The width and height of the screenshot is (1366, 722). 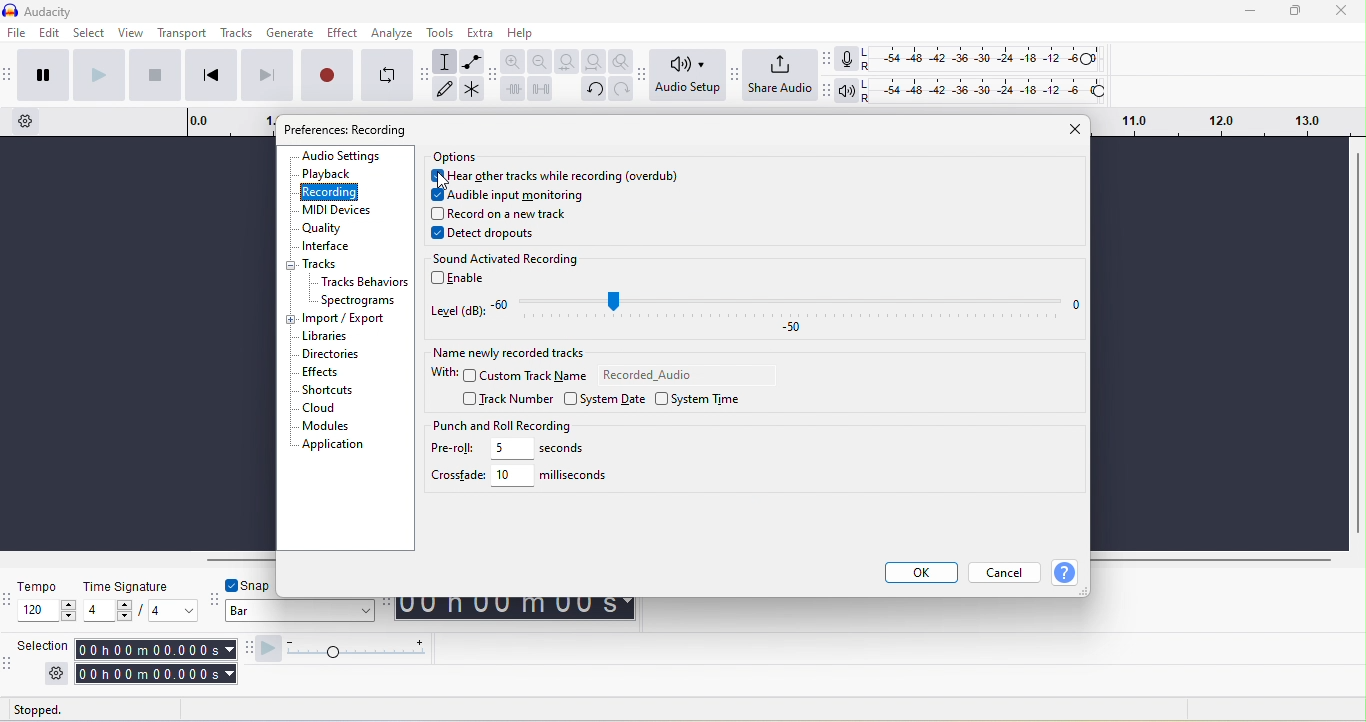 What do you see at coordinates (654, 377) in the screenshot?
I see `recorded audio` at bounding box center [654, 377].